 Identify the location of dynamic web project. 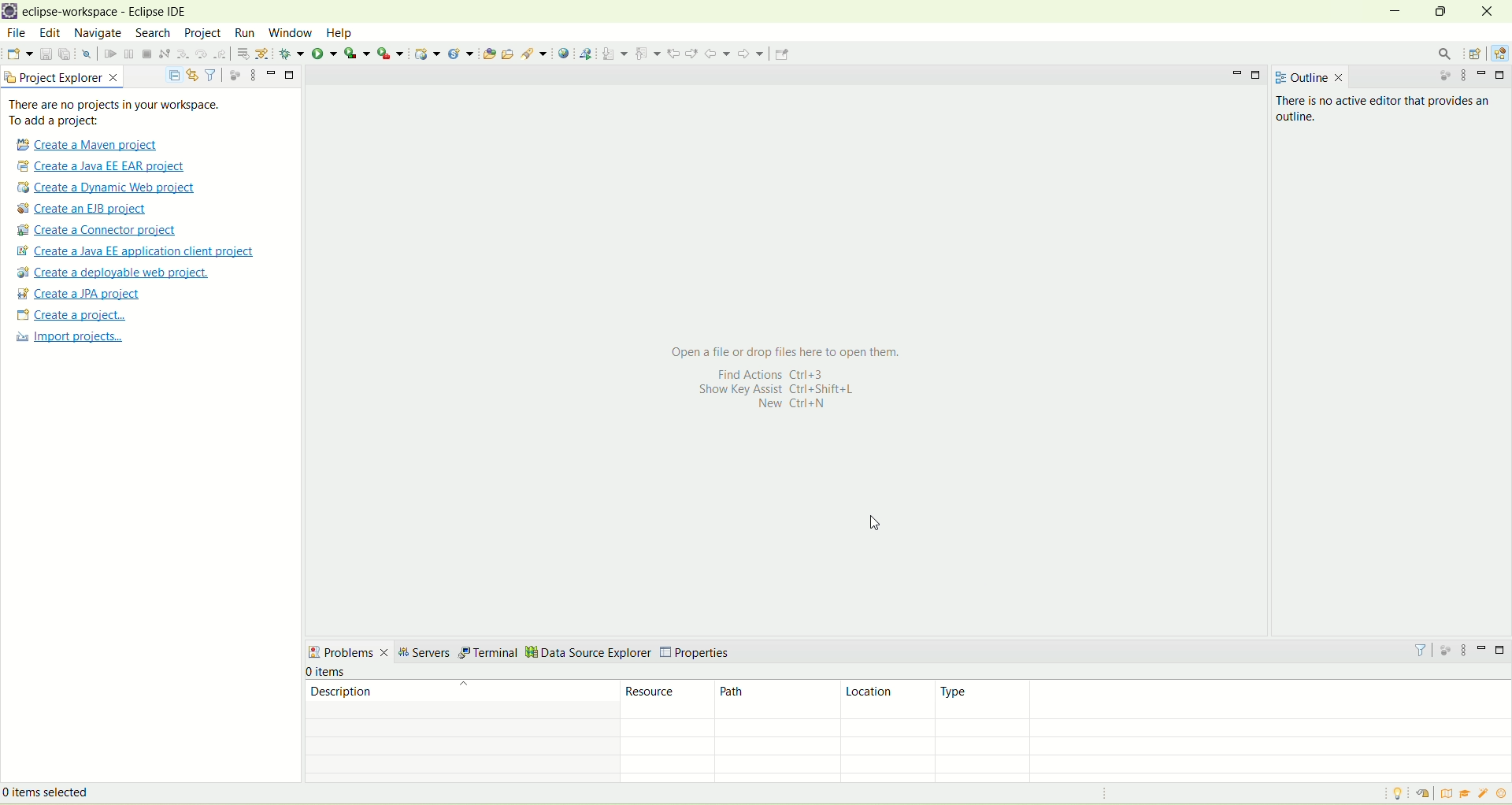
(491, 54).